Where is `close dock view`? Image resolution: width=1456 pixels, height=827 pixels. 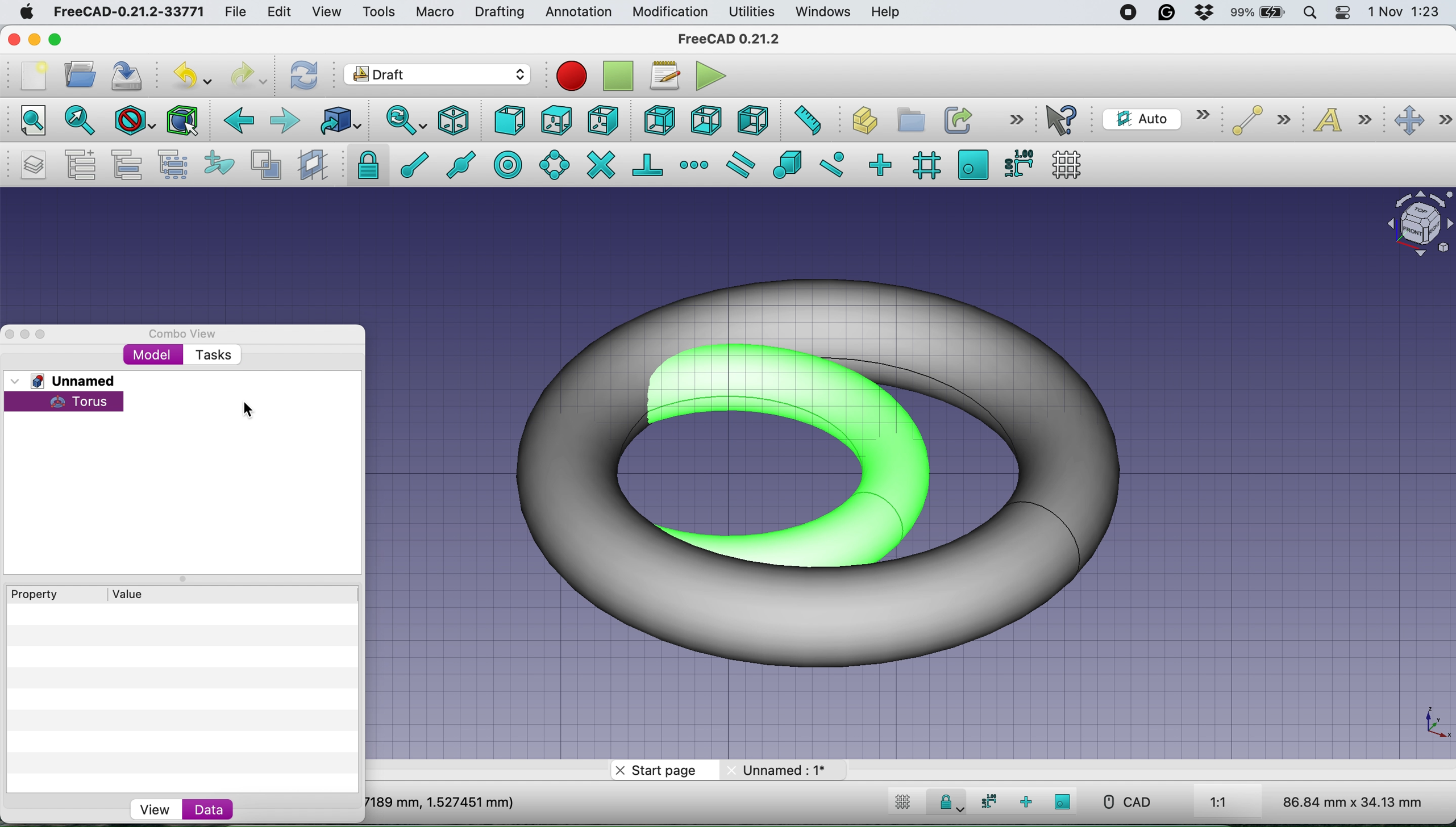
close dock view is located at coordinates (9, 335).